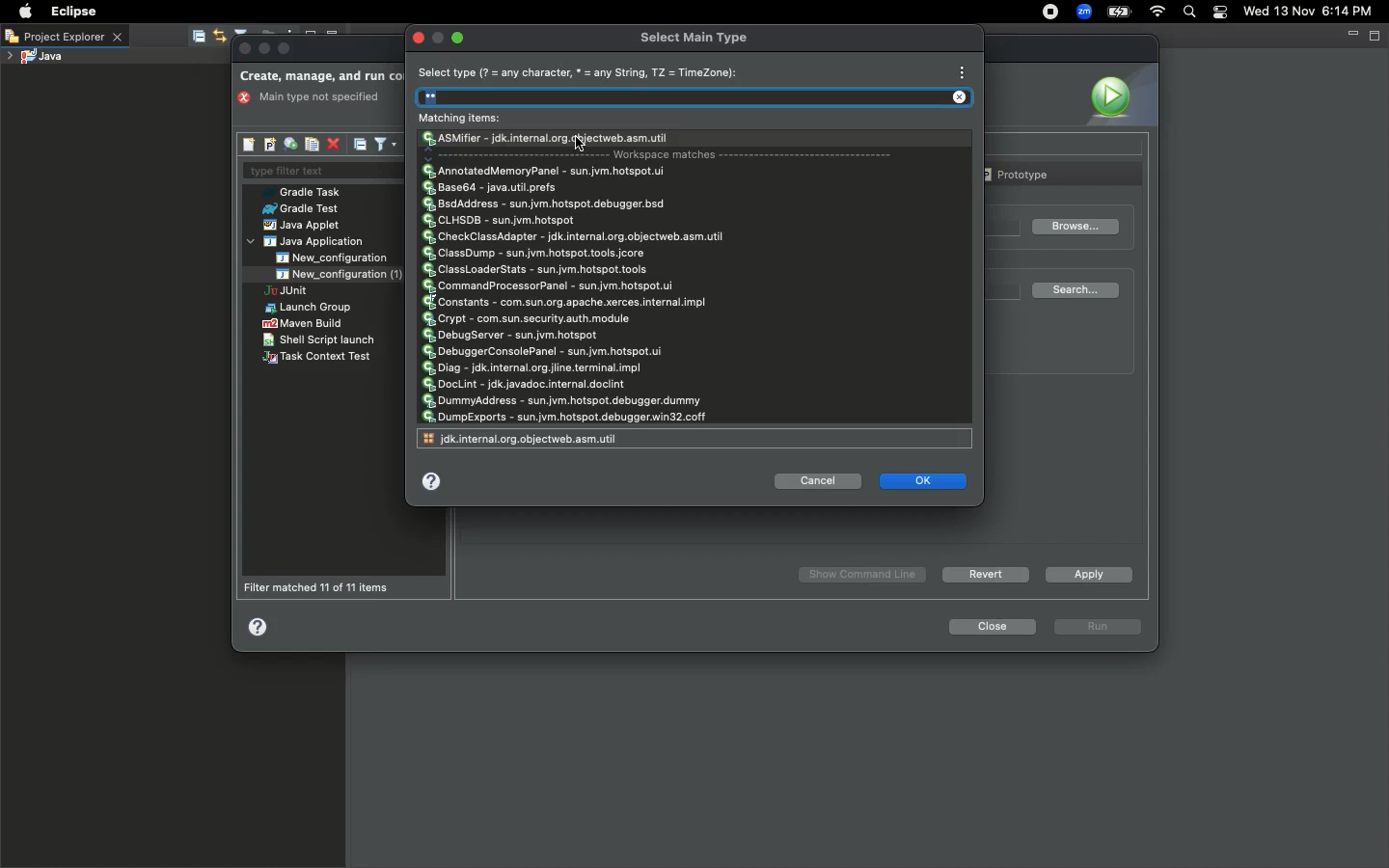  What do you see at coordinates (250, 145) in the screenshot?
I see `New launch configuration` at bounding box center [250, 145].